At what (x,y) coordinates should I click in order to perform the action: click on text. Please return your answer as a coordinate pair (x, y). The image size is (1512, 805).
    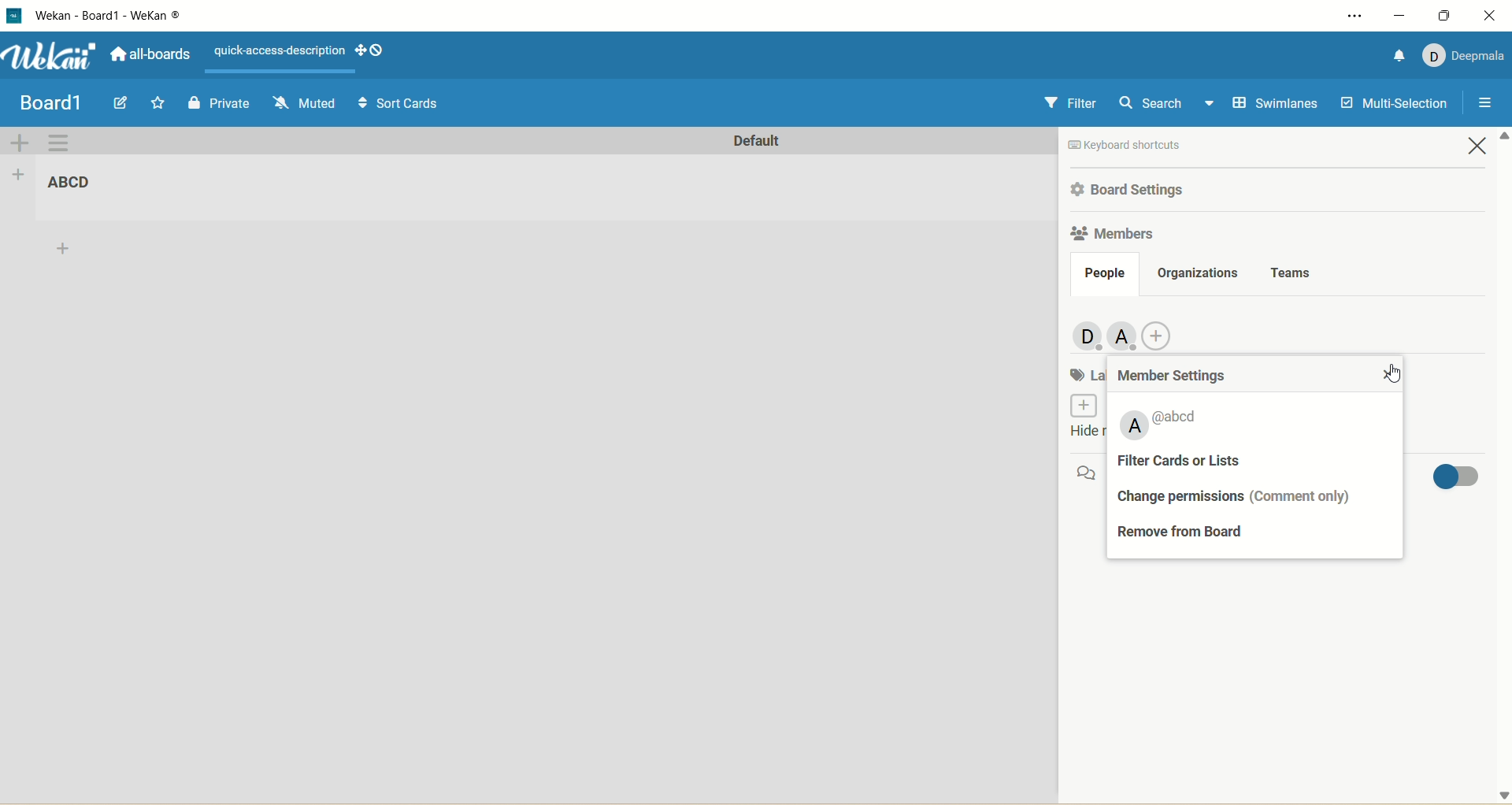
    Looking at the image, I should click on (1161, 145).